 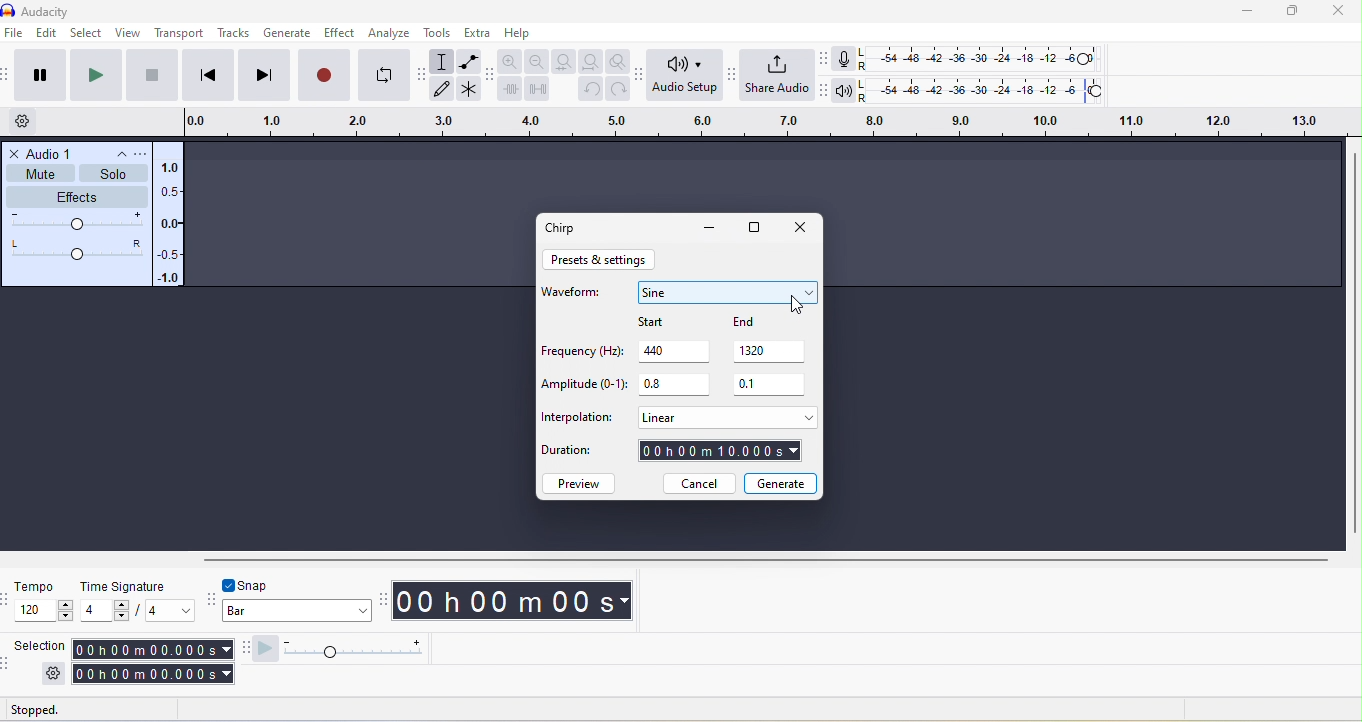 I want to click on play, so click(x=98, y=76).